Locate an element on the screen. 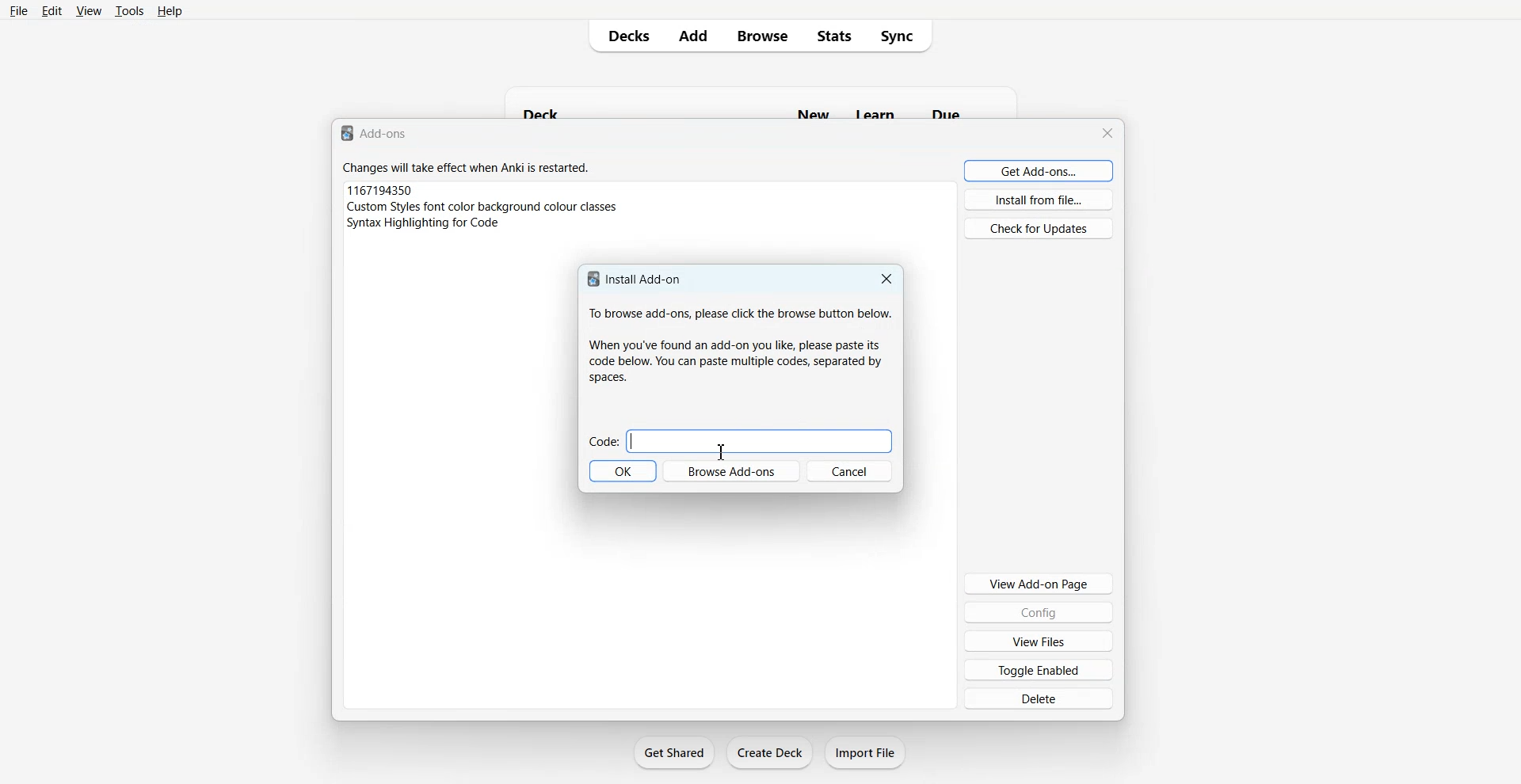 The height and width of the screenshot is (784, 1521). Tools is located at coordinates (128, 11).